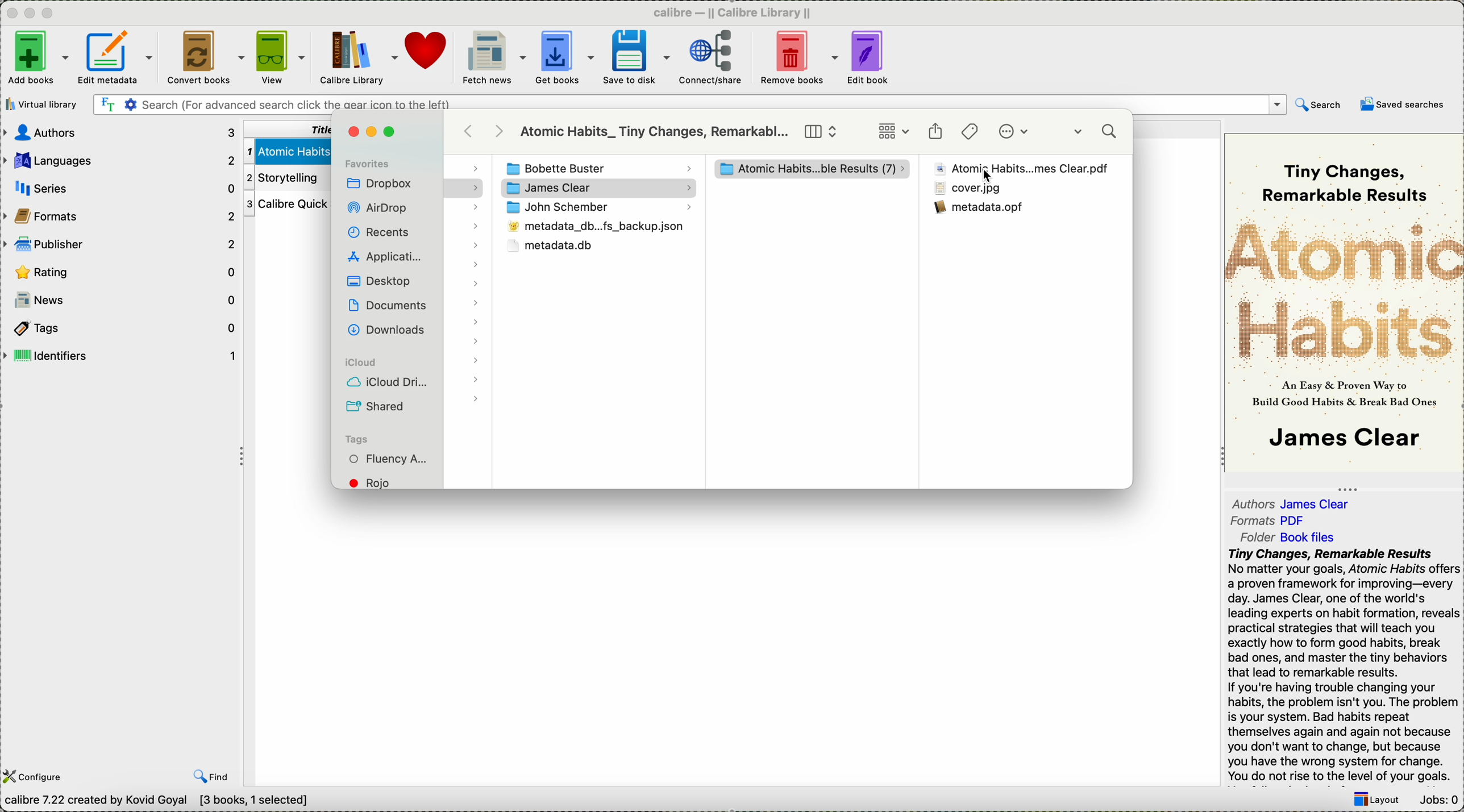 This screenshot has width=1464, height=812. I want to click on click on first book, so click(285, 149).